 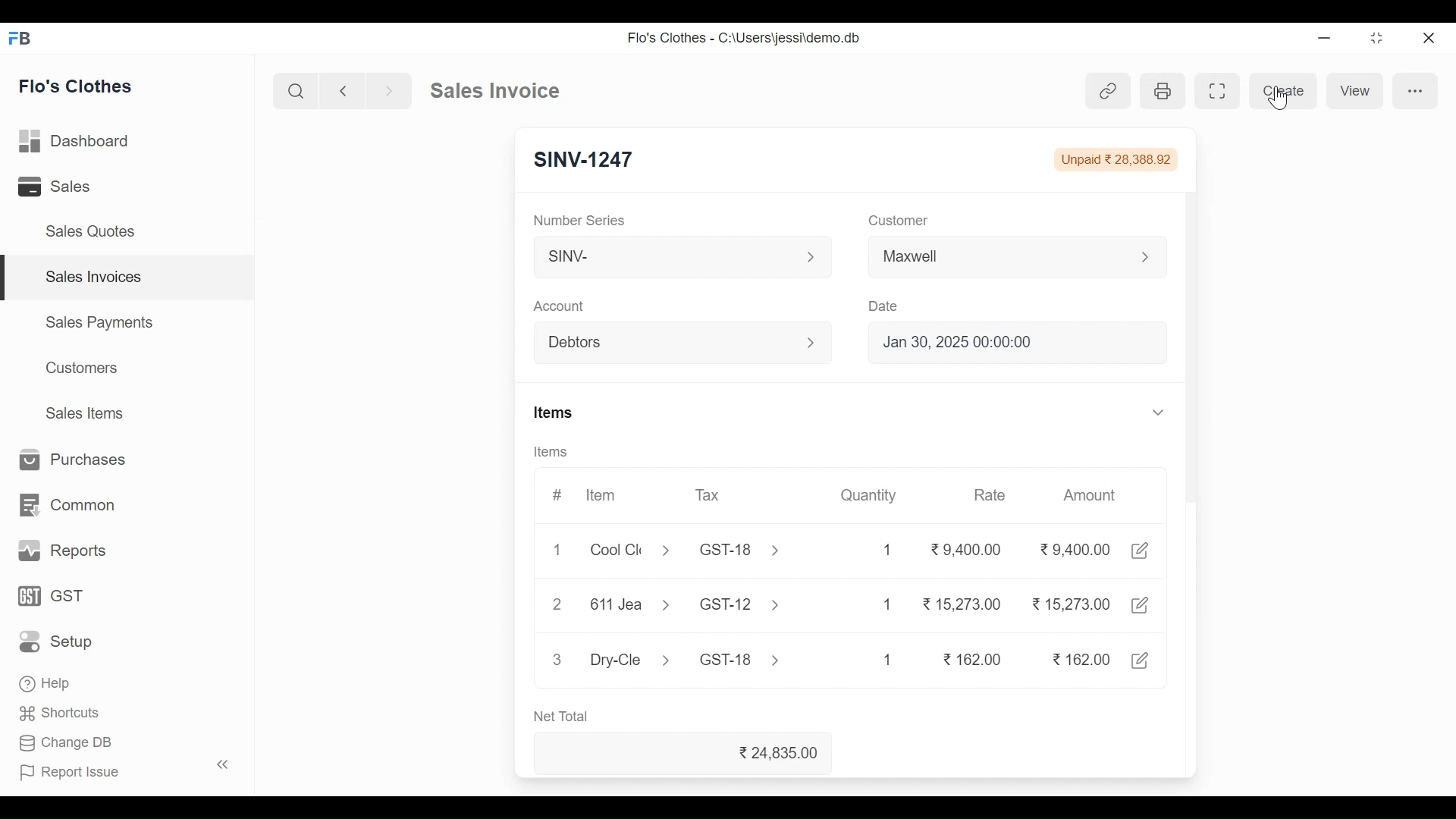 What do you see at coordinates (1159, 412) in the screenshot?
I see `Expand` at bounding box center [1159, 412].